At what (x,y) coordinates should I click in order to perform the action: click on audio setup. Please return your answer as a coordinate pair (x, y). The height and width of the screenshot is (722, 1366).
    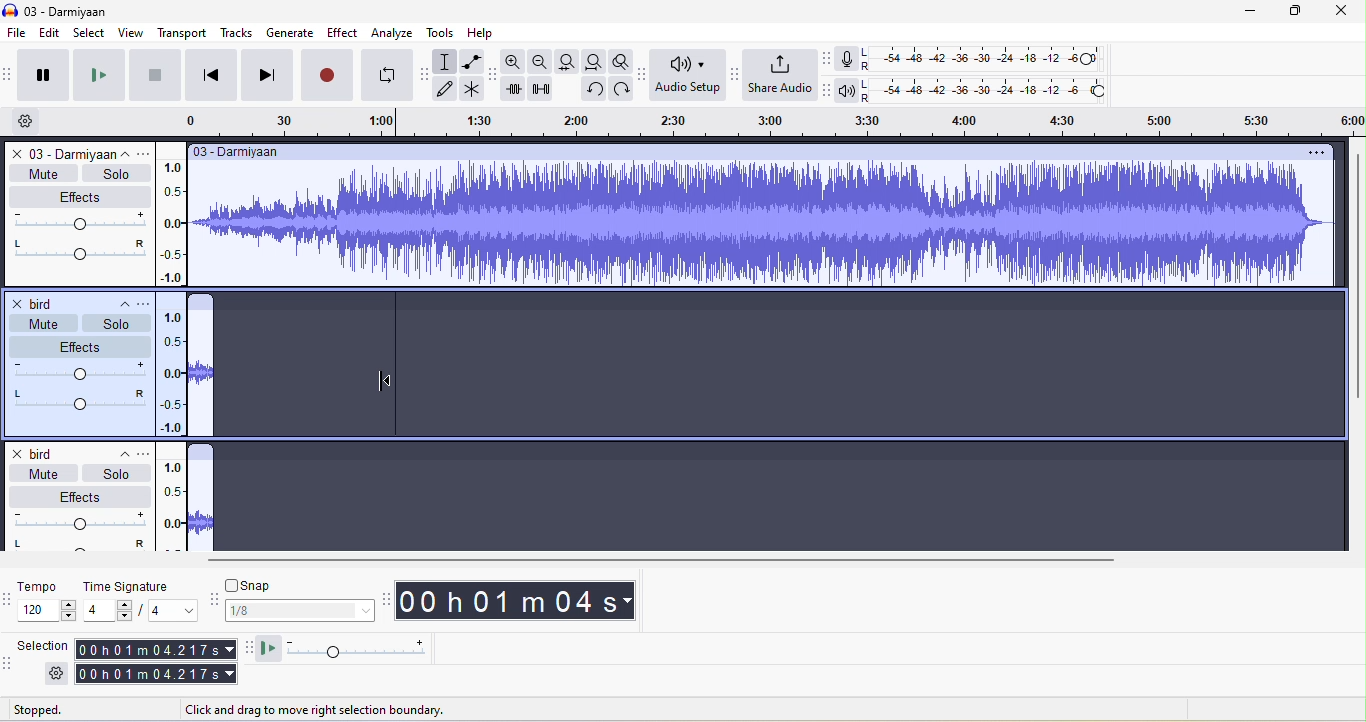
    Looking at the image, I should click on (687, 77).